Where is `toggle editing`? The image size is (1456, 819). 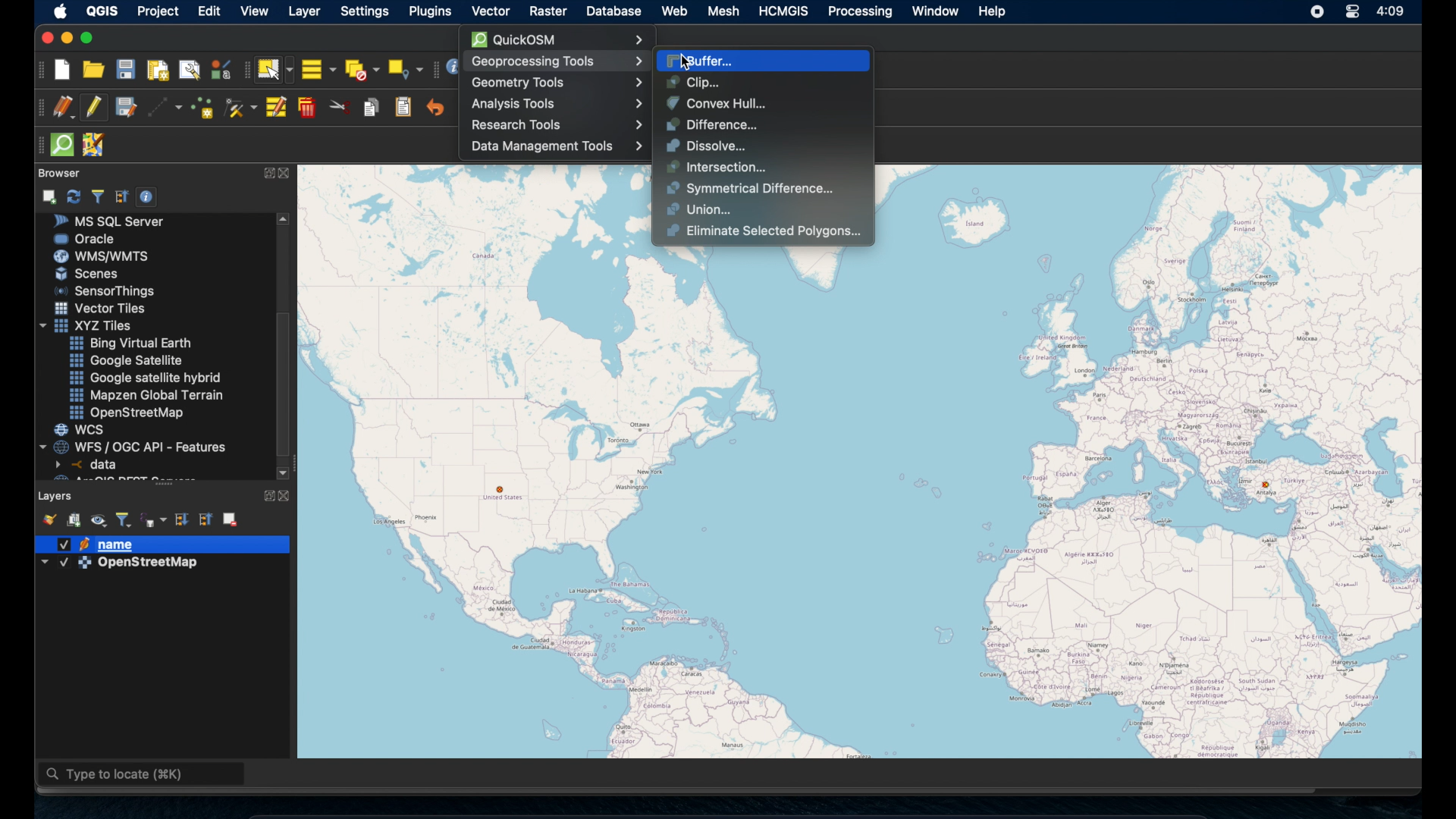
toggle editing is located at coordinates (93, 107).